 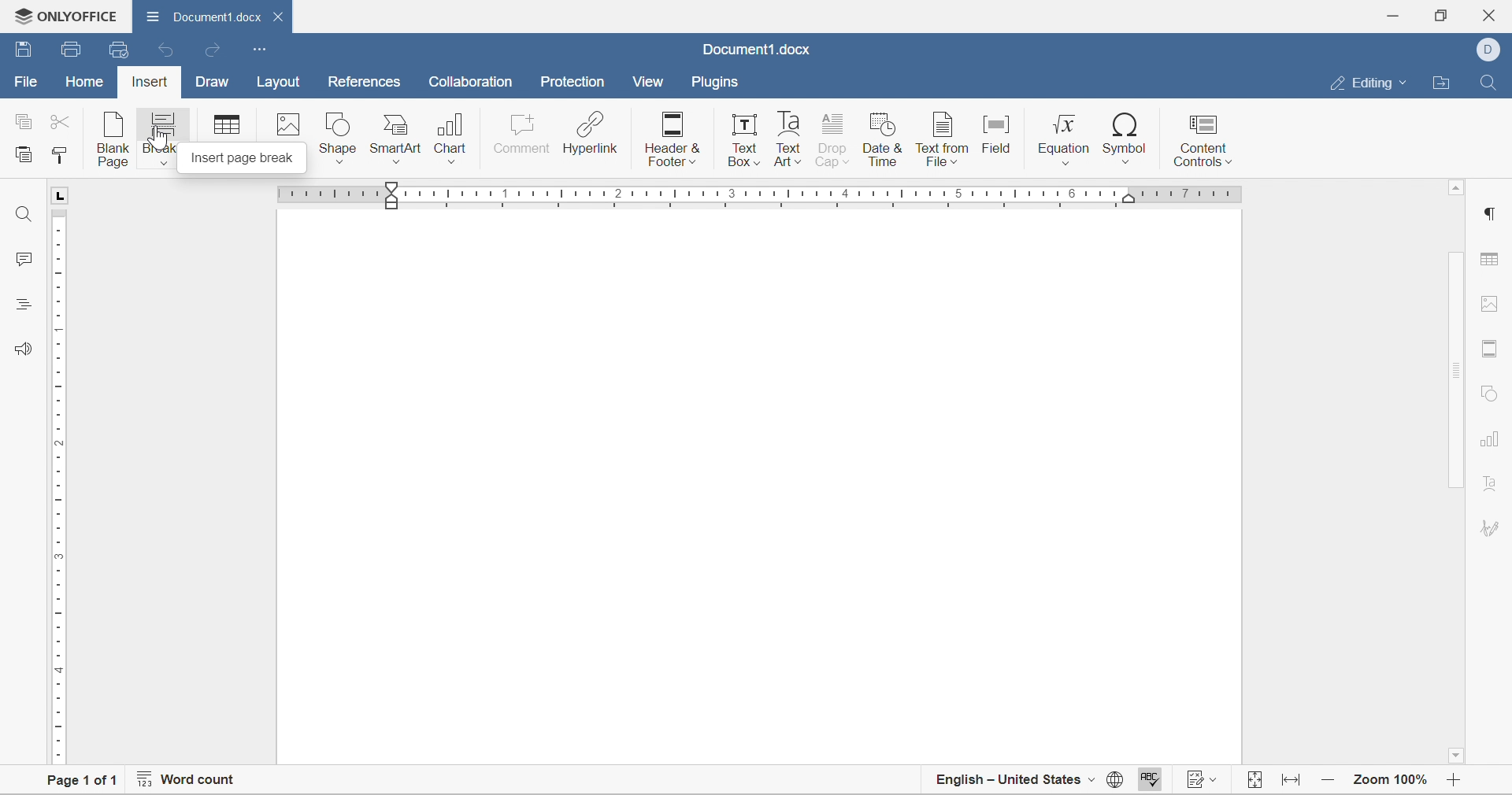 I want to click on Minimize, so click(x=1395, y=13).